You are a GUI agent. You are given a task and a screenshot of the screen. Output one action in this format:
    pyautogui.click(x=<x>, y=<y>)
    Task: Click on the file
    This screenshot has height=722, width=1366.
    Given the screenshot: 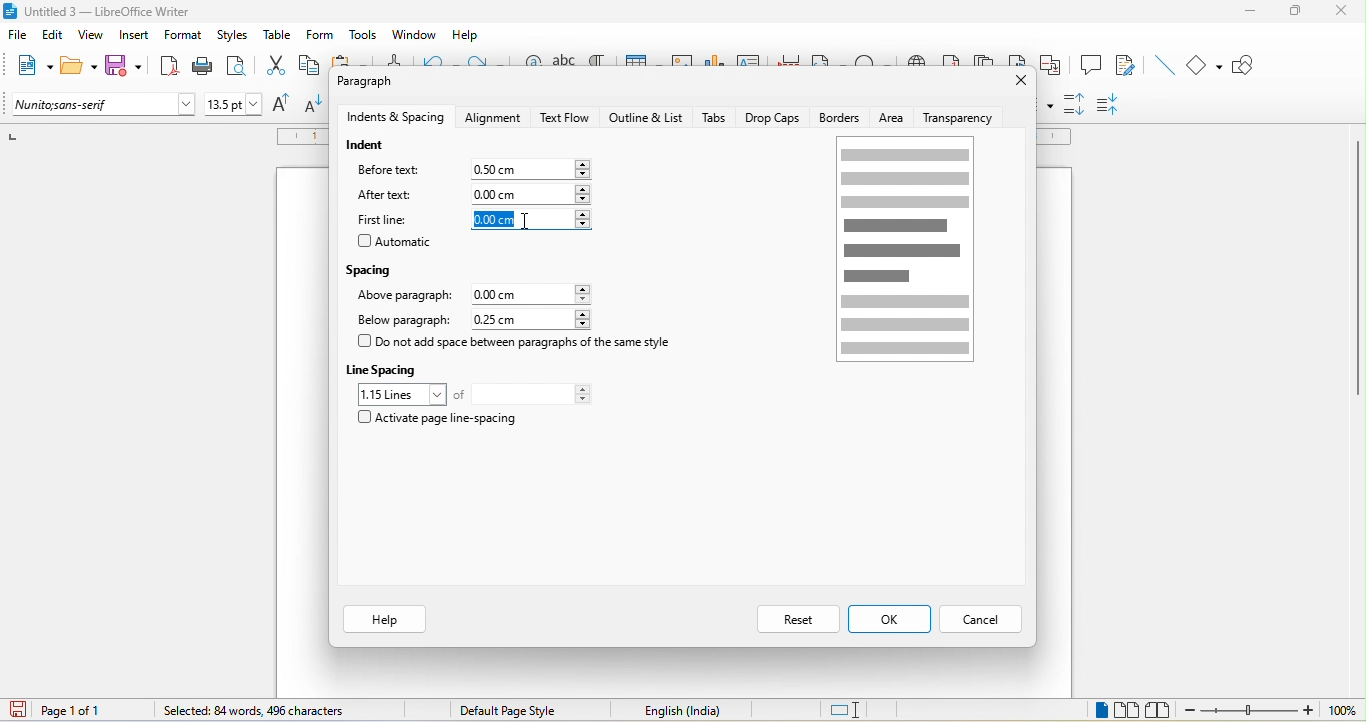 What is the action you would take?
    pyautogui.click(x=21, y=36)
    